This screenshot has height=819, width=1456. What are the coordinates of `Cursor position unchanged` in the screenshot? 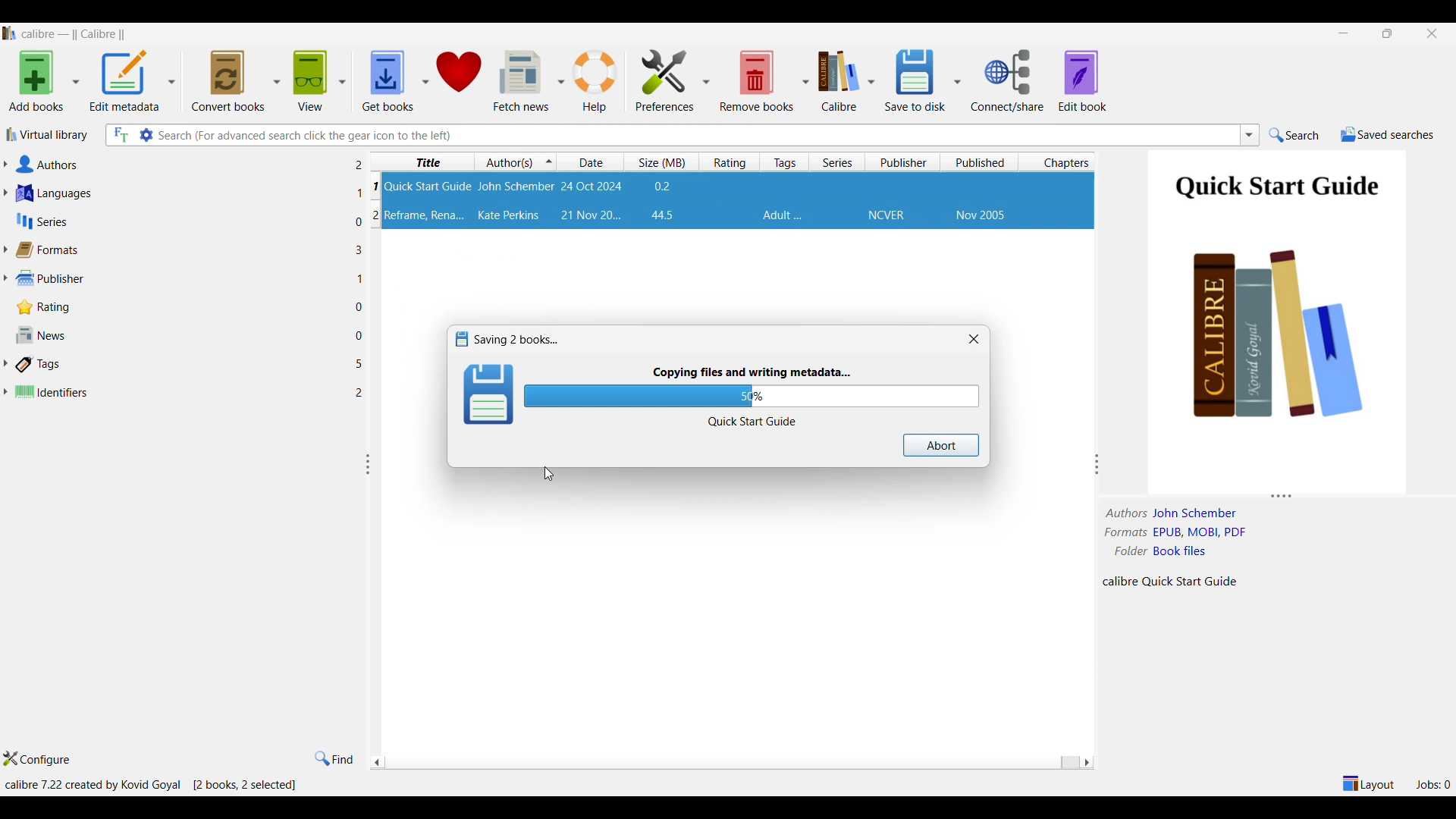 It's located at (549, 474).